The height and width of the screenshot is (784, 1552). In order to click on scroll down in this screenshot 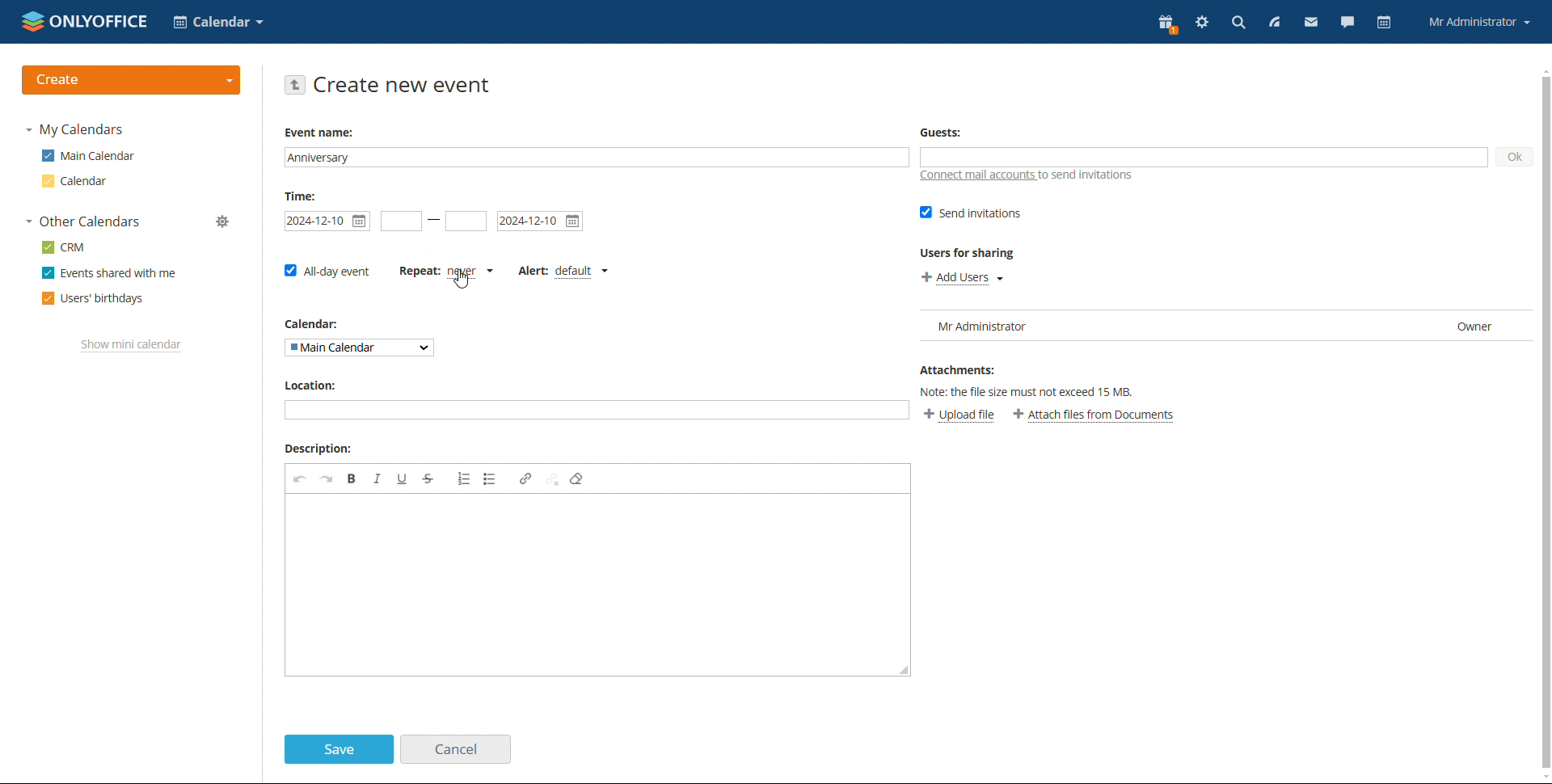, I will do `click(1542, 778)`.